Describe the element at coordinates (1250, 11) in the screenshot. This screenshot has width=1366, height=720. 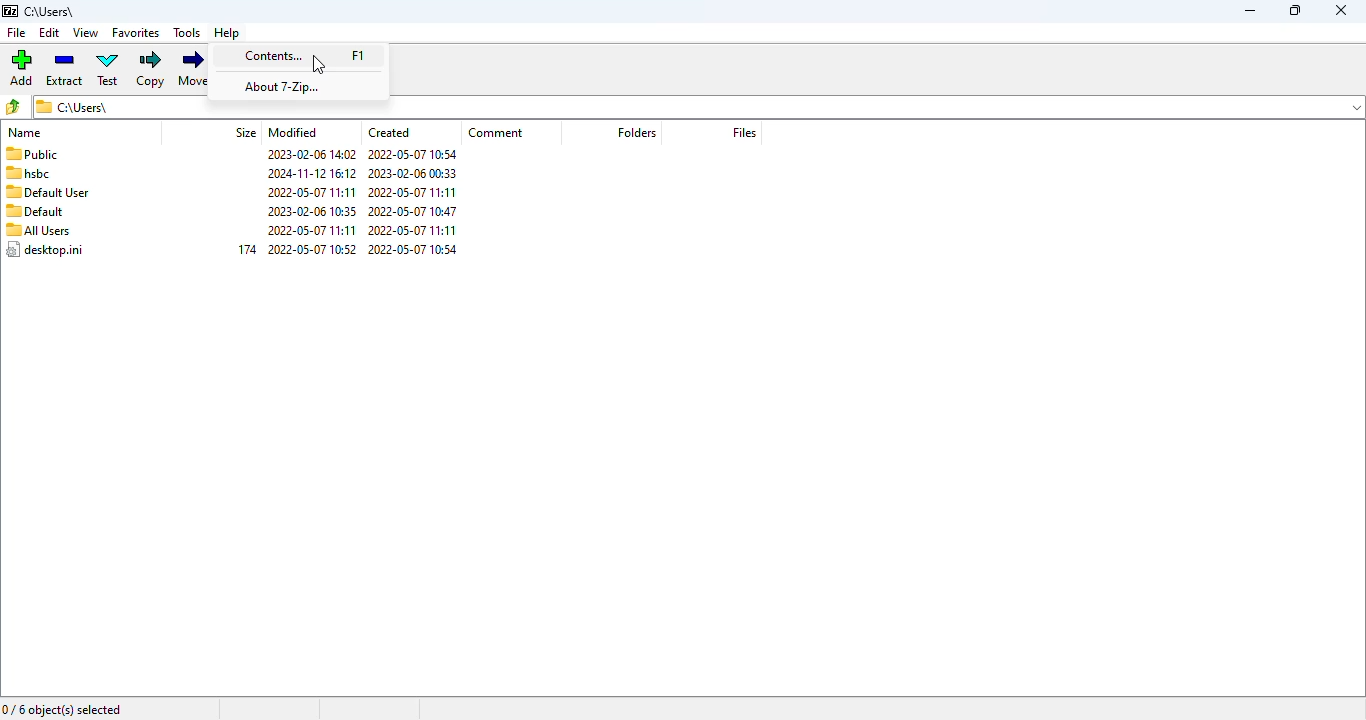
I see `minimize` at that location.